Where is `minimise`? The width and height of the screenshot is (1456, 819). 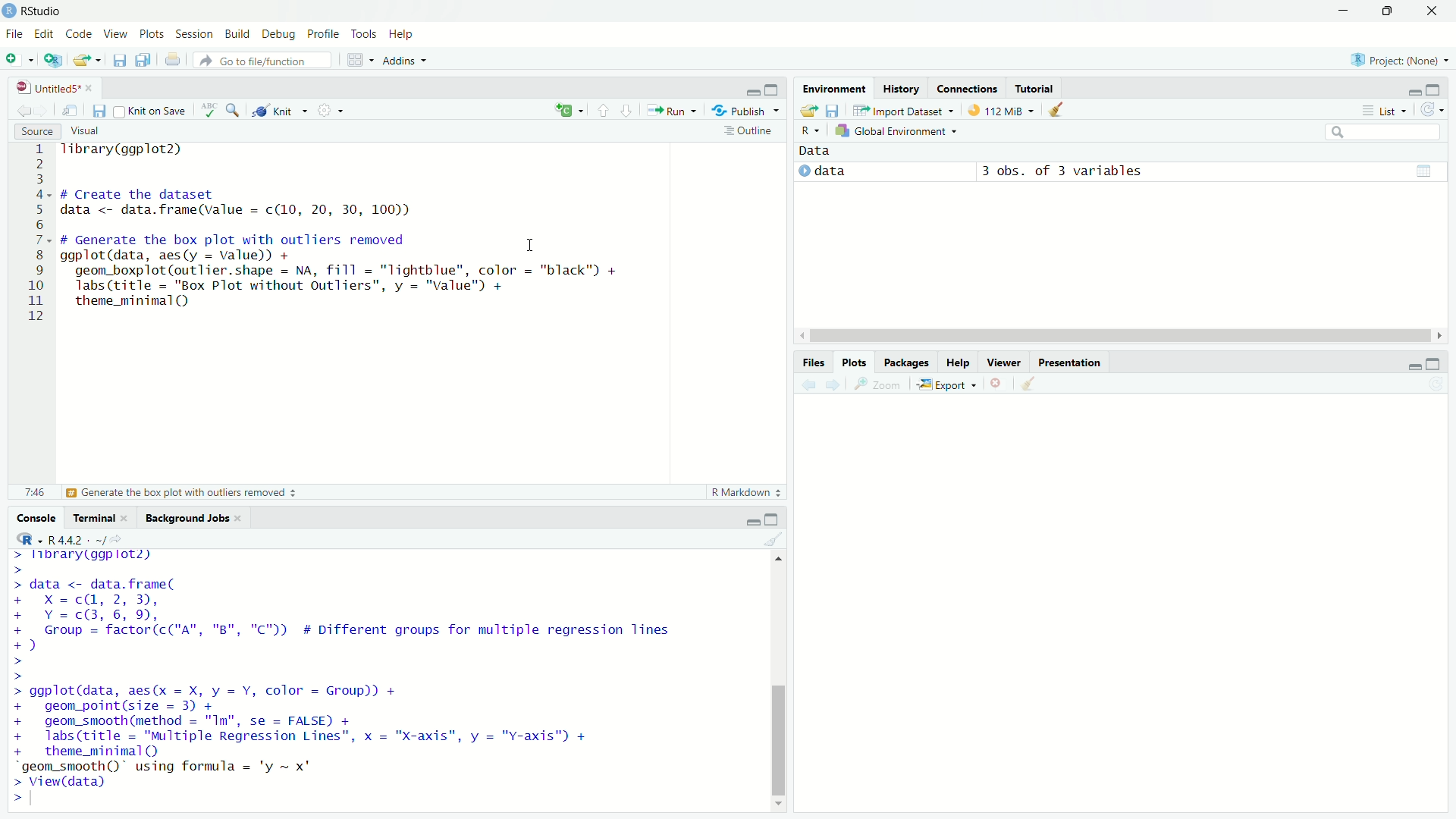
minimise is located at coordinates (1326, 12).